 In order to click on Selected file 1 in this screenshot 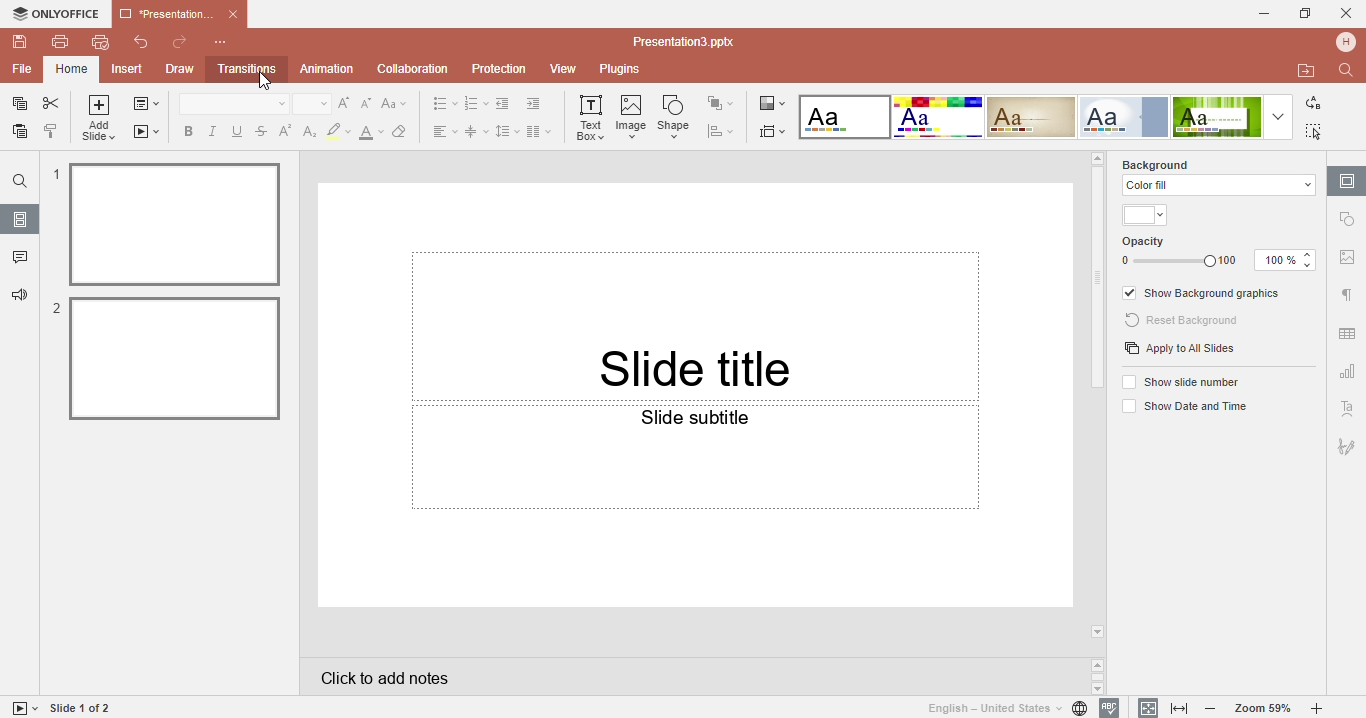, I will do `click(169, 223)`.